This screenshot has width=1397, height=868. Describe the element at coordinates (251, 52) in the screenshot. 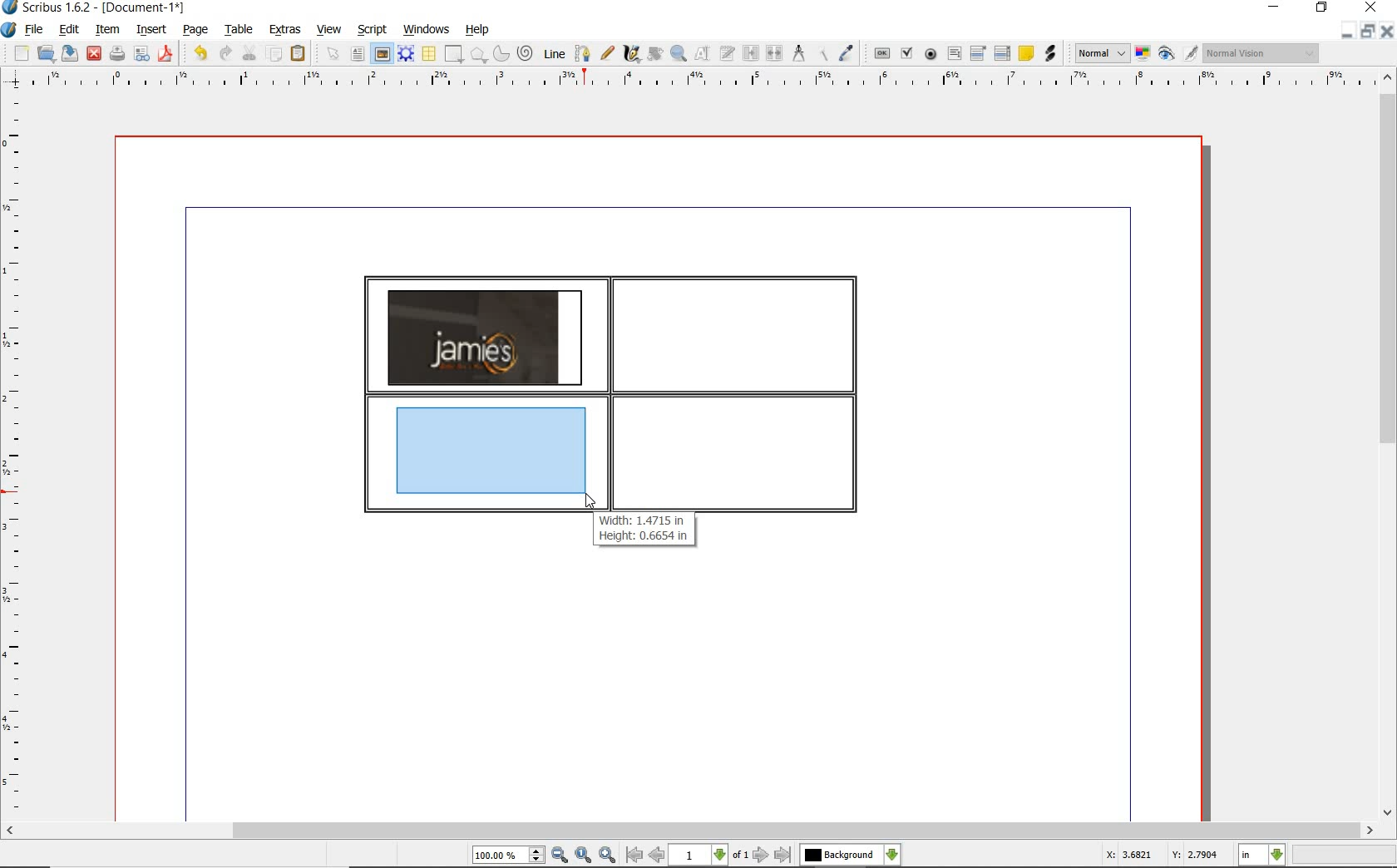

I see `cut` at that location.